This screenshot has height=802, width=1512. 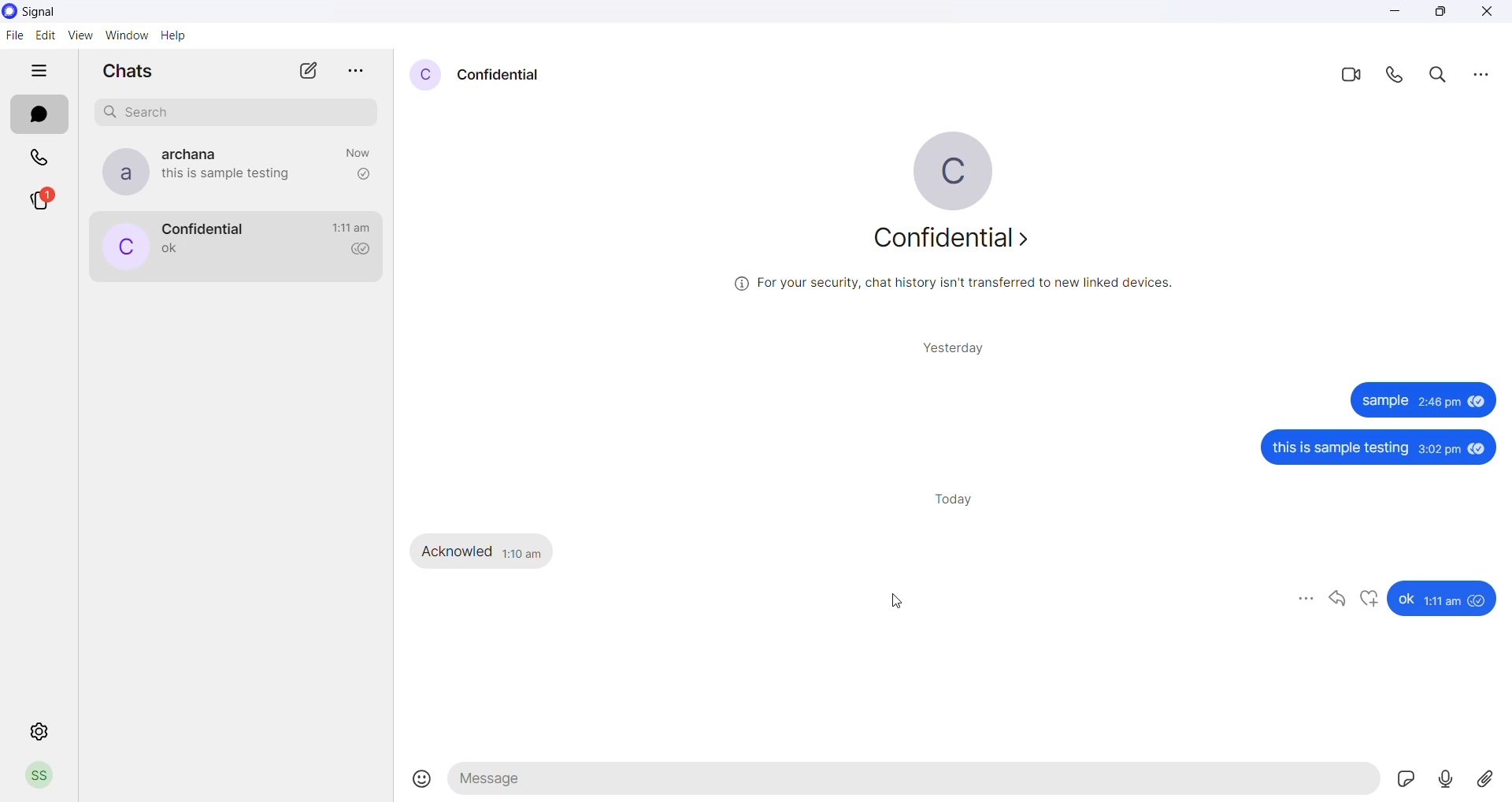 What do you see at coordinates (1305, 599) in the screenshot?
I see `more` at bounding box center [1305, 599].